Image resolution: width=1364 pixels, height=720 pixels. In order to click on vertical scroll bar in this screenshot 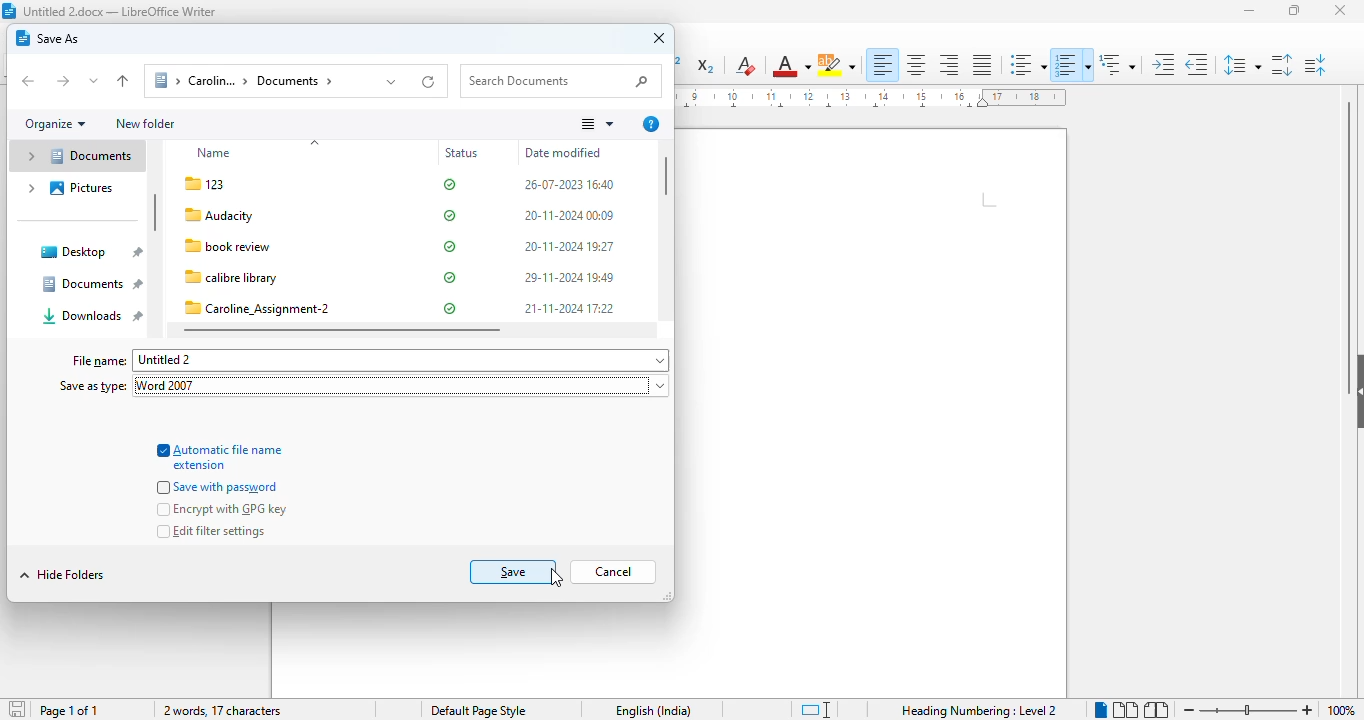, I will do `click(668, 176)`.